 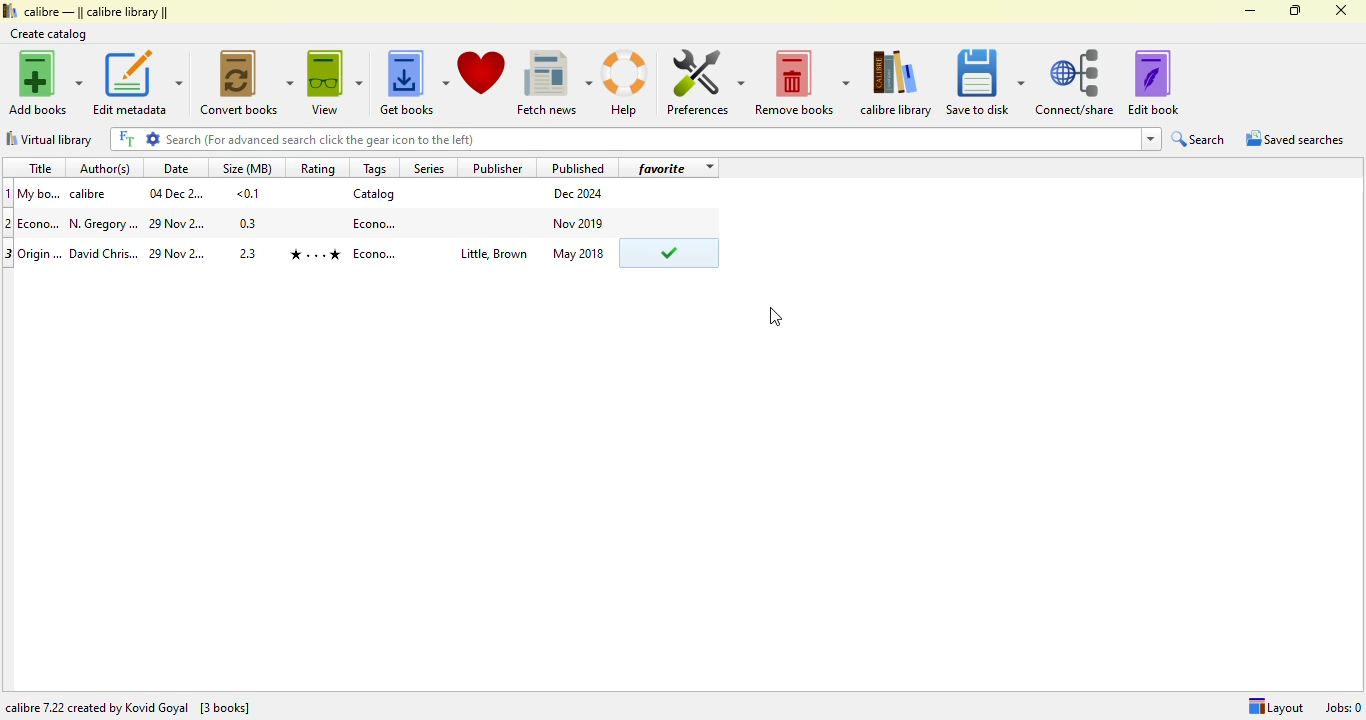 What do you see at coordinates (40, 193) in the screenshot?
I see `Title` at bounding box center [40, 193].